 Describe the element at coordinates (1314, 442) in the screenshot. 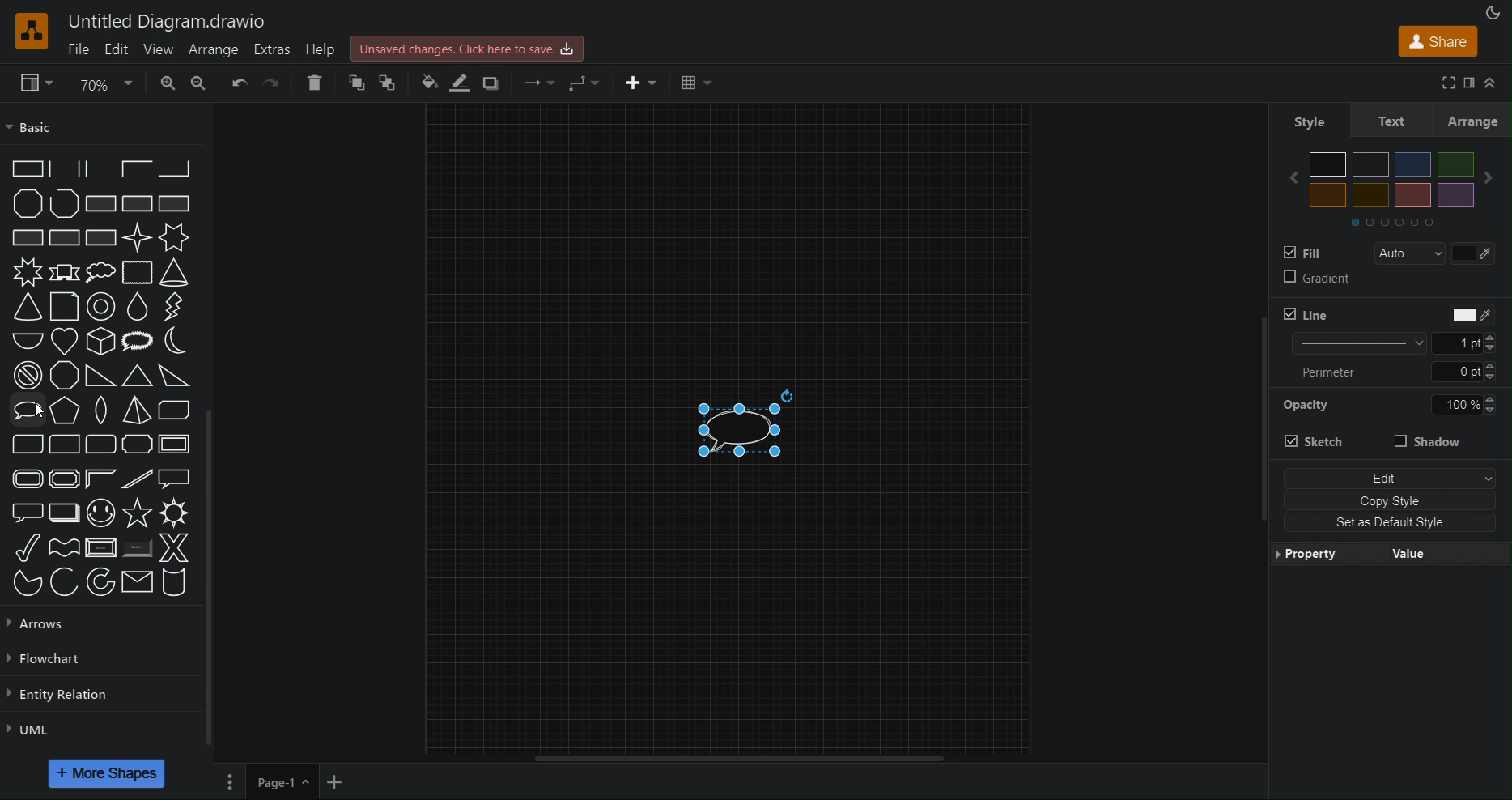

I see `Sketch` at that location.